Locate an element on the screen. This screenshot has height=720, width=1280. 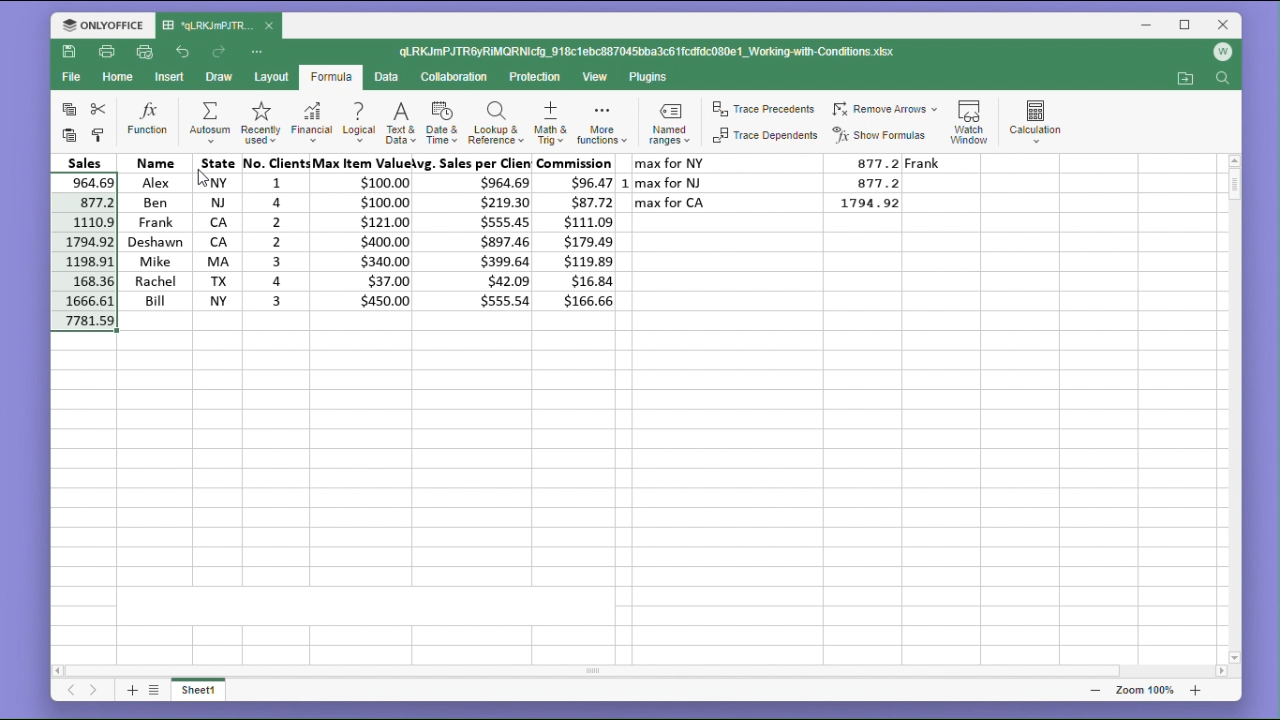
plugins is located at coordinates (649, 77).